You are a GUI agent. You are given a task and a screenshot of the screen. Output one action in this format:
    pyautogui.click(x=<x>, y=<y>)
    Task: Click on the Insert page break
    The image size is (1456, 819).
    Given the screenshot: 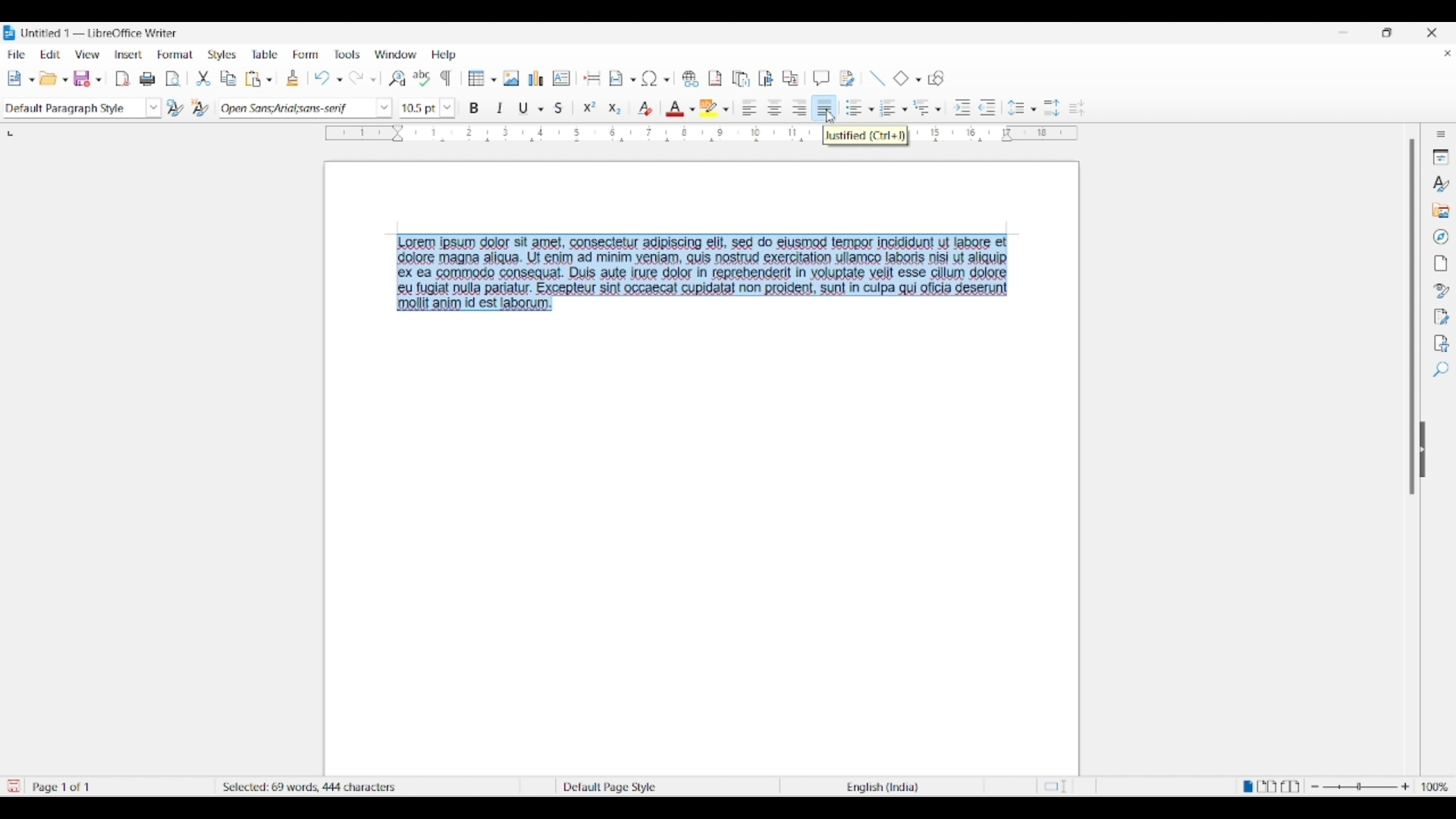 What is the action you would take?
    pyautogui.click(x=593, y=77)
    